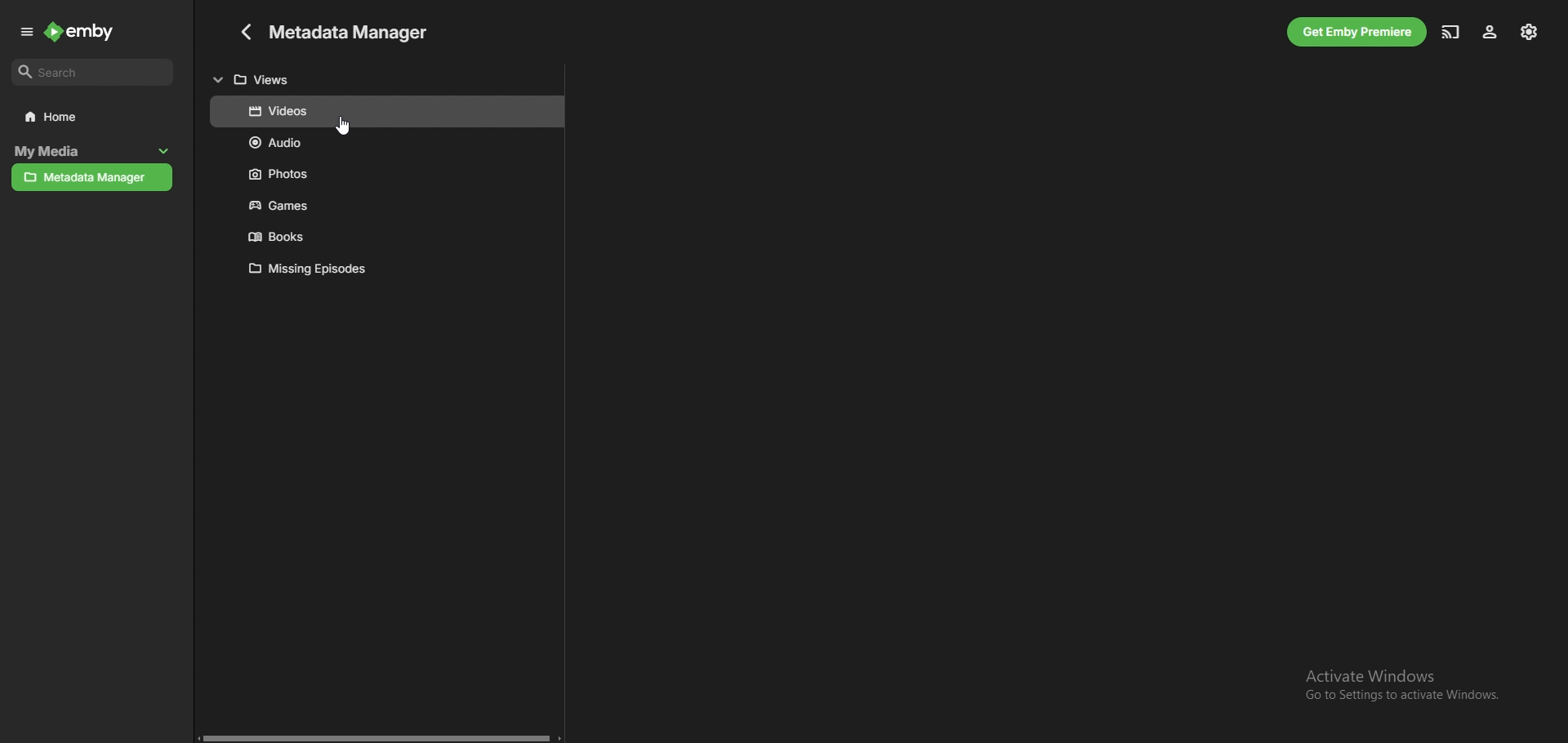 The height and width of the screenshot is (743, 1568). I want to click on missing episodes, so click(386, 269).